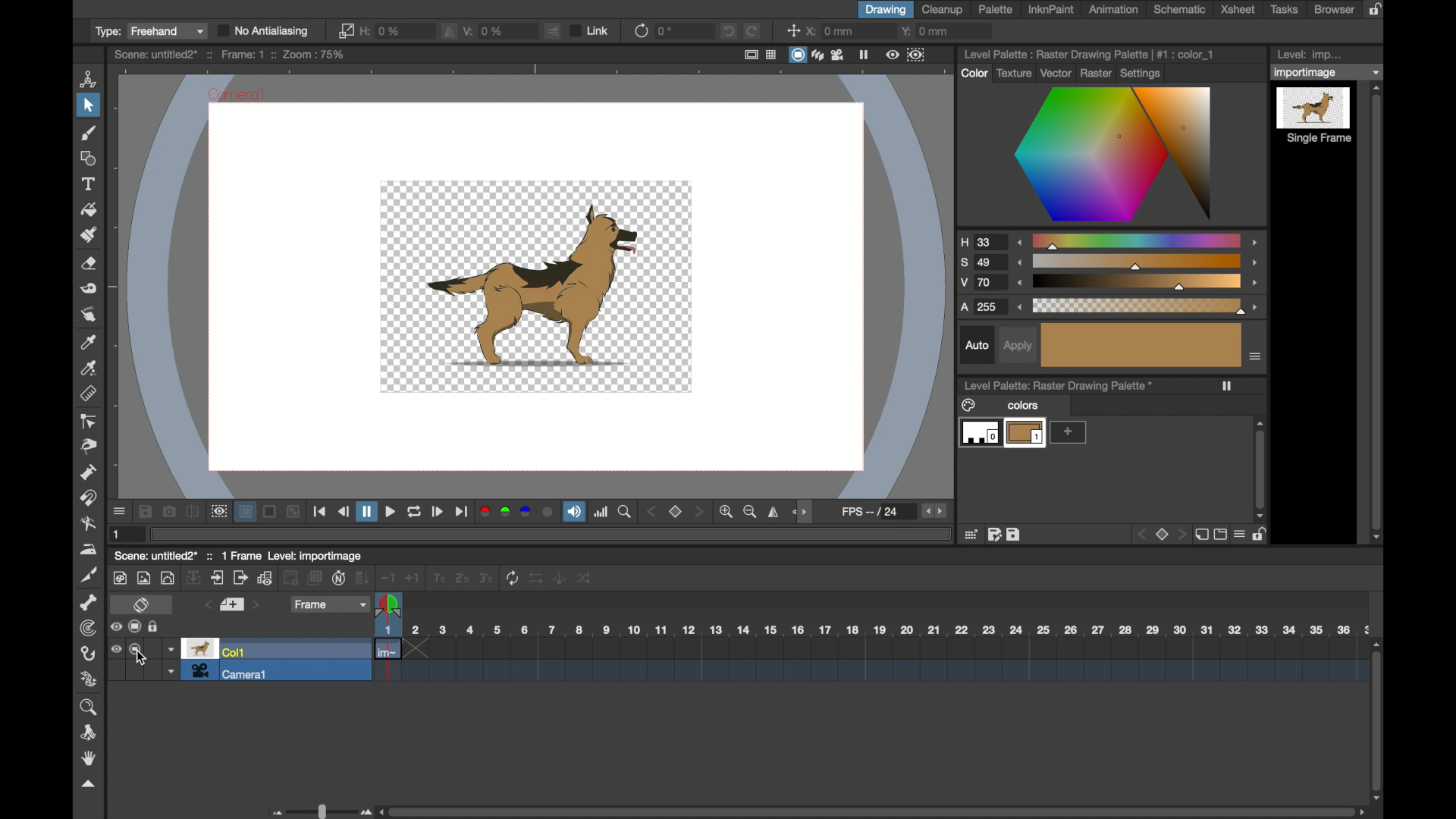 The width and height of the screenshot is (1456, 819). What do you see at coordinates (218, 511) in the screenshot?
I see `preview` at bounding box center [218, 511].